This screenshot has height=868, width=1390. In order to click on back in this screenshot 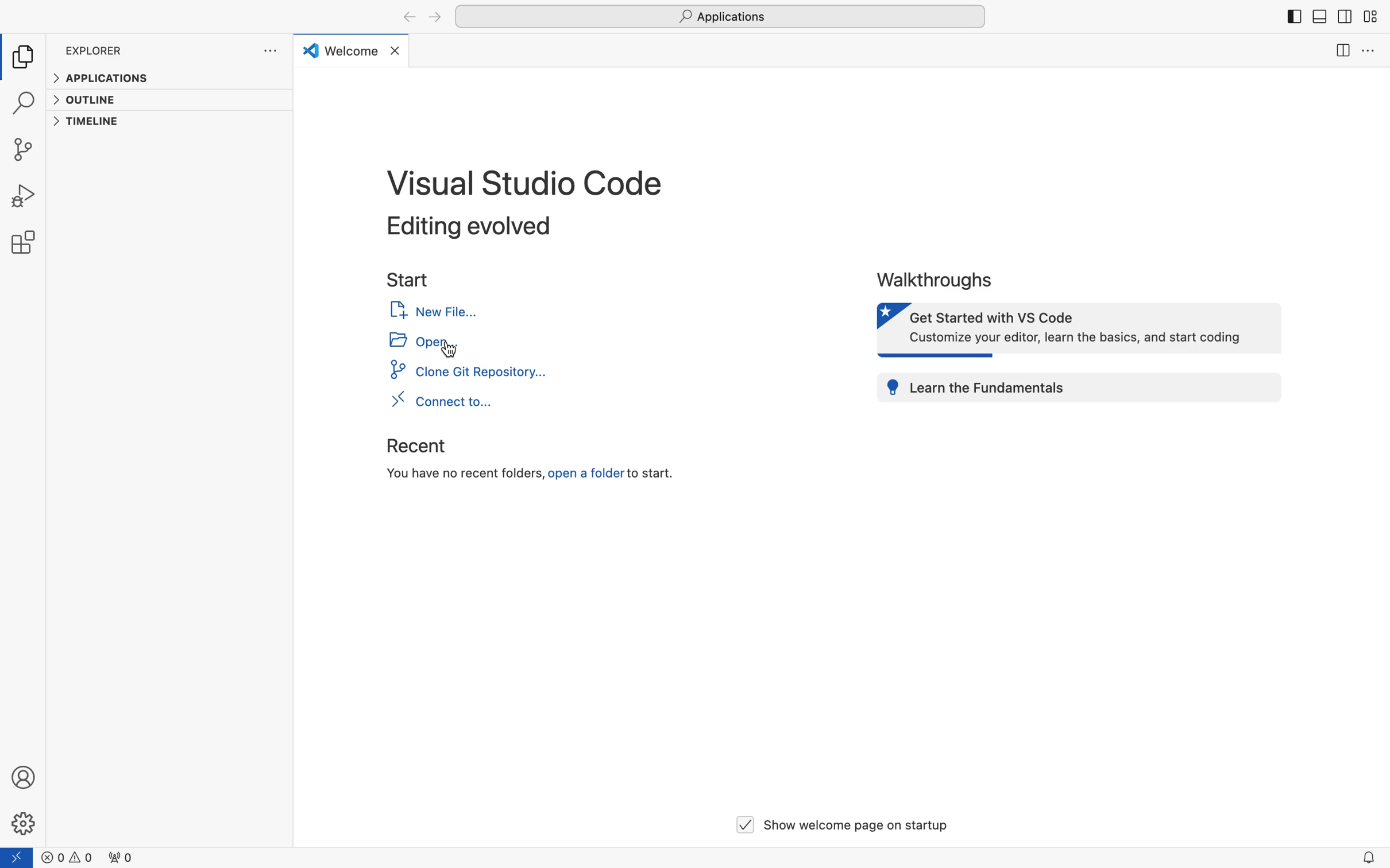, I will do `click(408, 18)`.